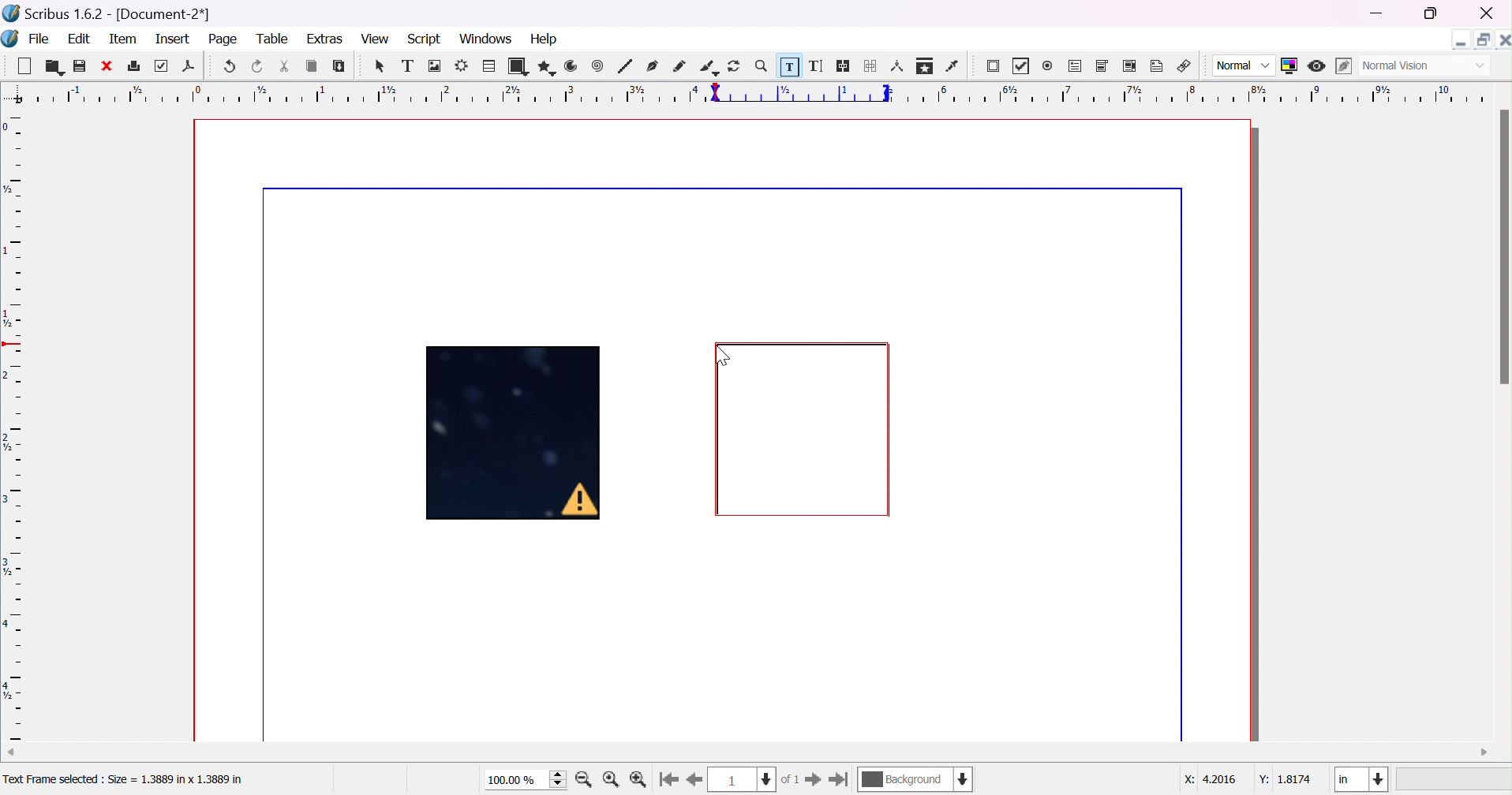  What do you see at coordinates (1103, 66) in the screenshot?
I see `PDF combo box` at bounding box center [1103, 66].